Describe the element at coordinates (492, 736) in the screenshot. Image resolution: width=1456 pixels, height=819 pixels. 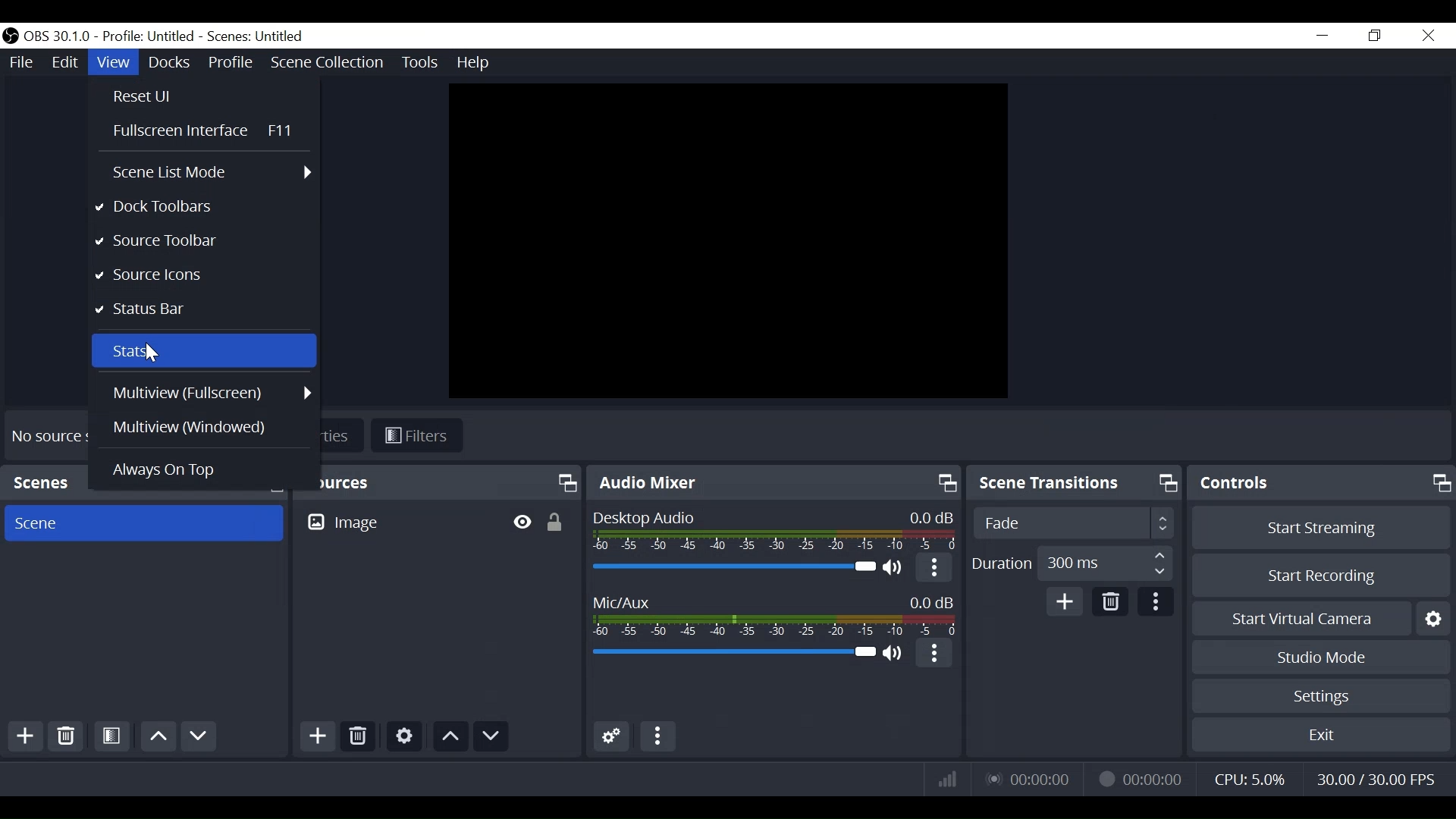
I see `move down` at that location.